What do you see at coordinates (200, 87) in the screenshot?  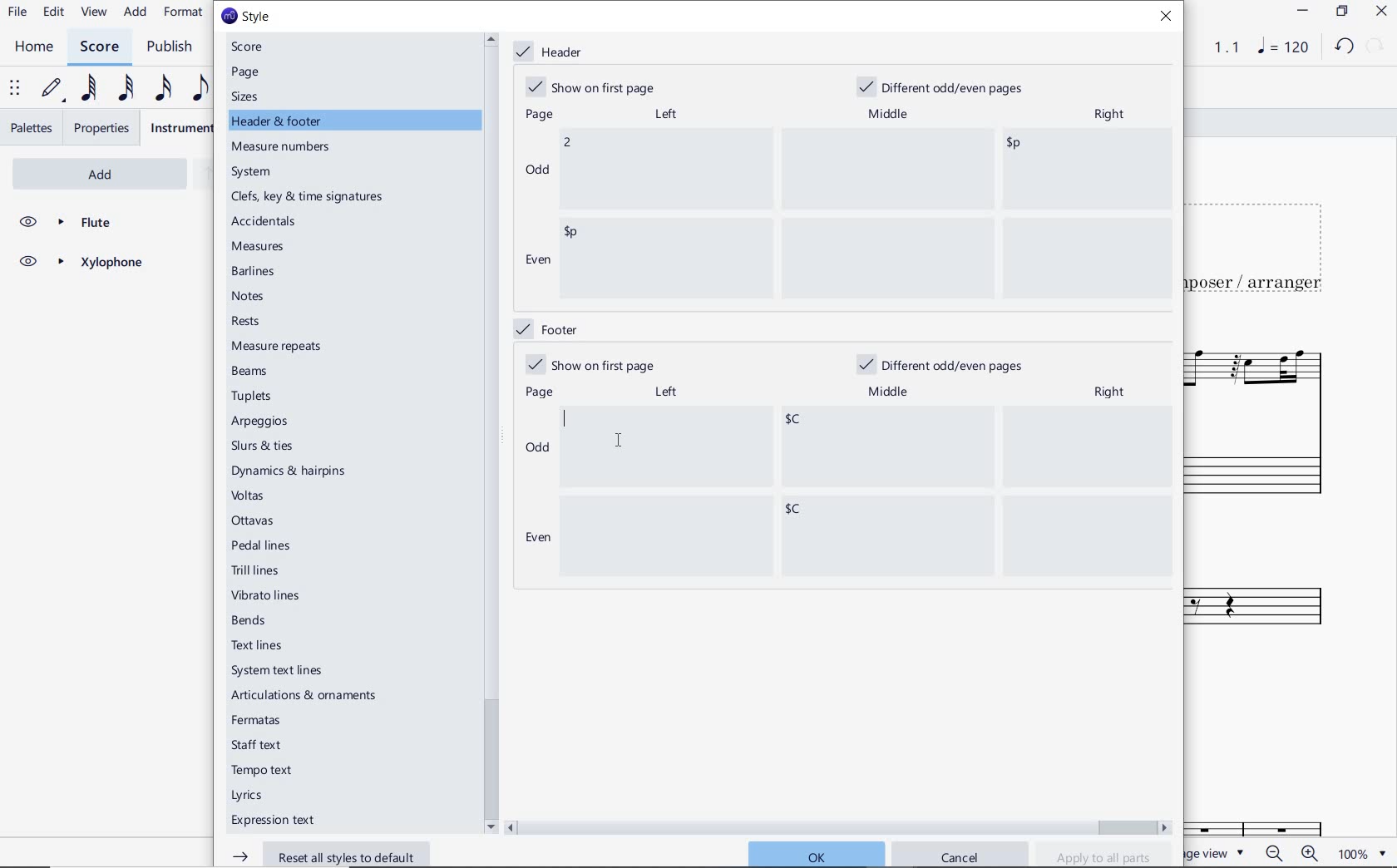 I see `EIGHTH NOTE` at bounding box center [200, 87].